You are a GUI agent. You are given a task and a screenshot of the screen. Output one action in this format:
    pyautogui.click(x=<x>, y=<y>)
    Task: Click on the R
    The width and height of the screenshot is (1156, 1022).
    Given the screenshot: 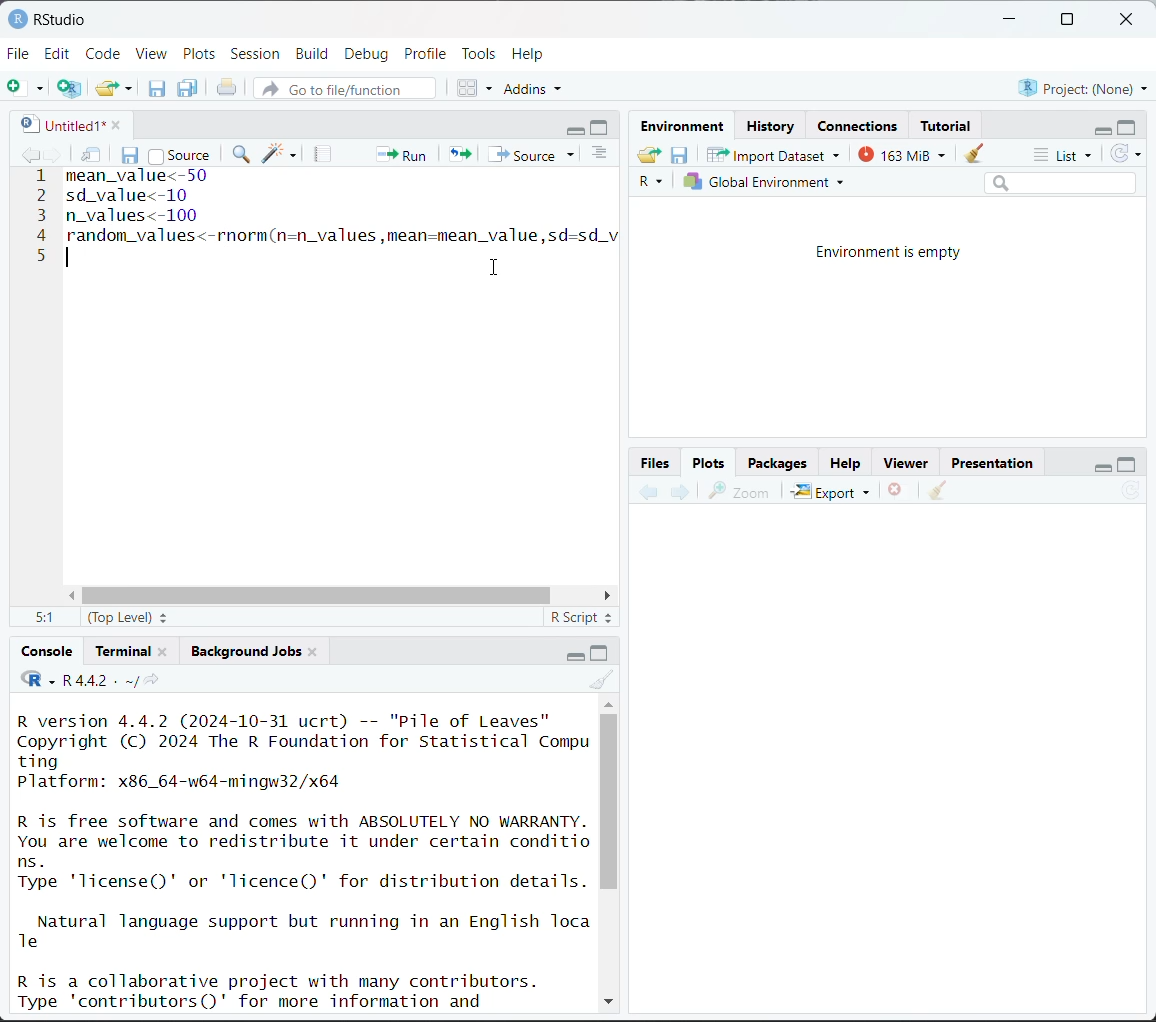 What is the action you would take?
    pyautogui.click(x=654, y=183)
    